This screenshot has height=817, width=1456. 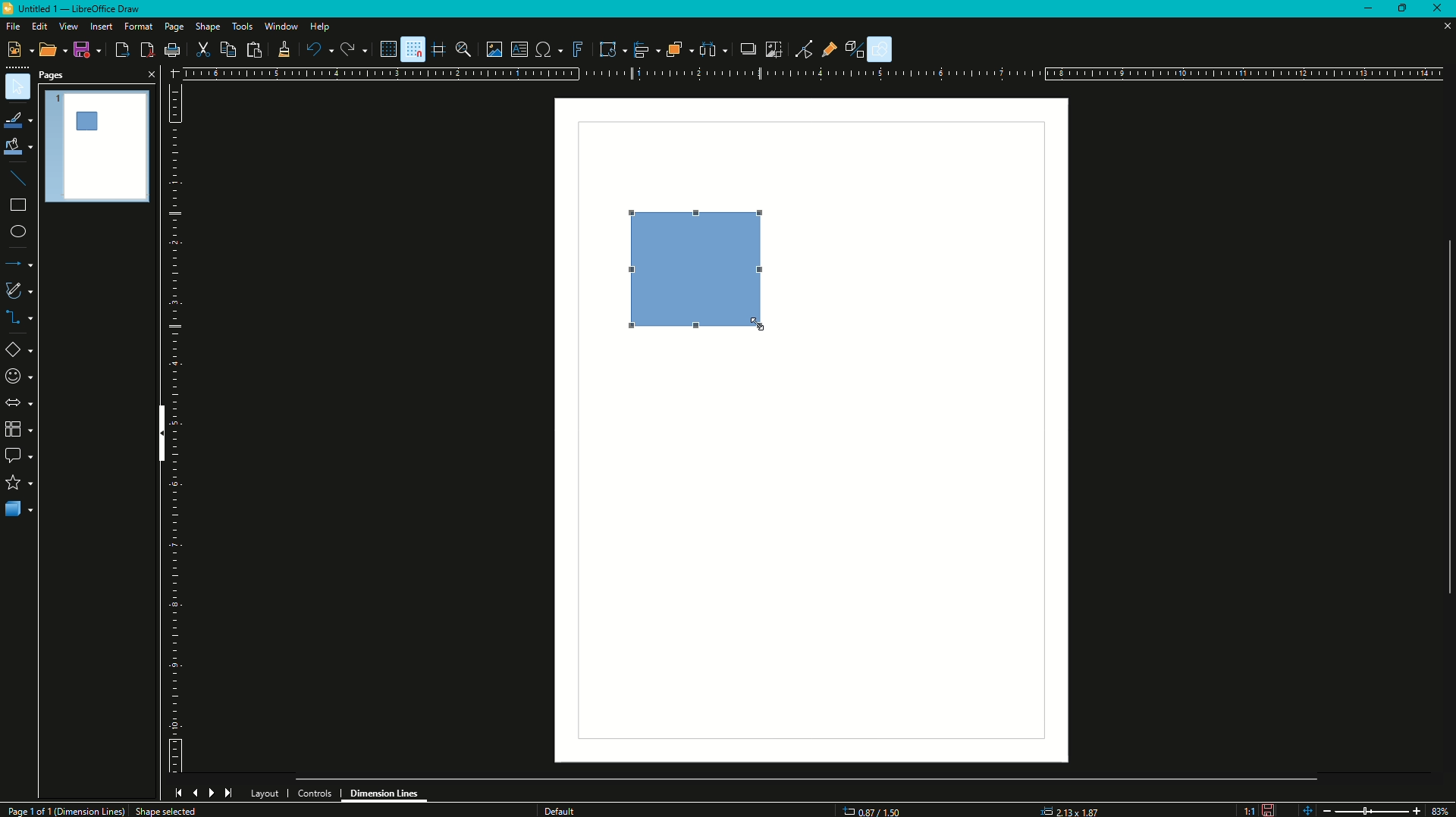 I want to click on Restore, so click(x=1405, y=7).